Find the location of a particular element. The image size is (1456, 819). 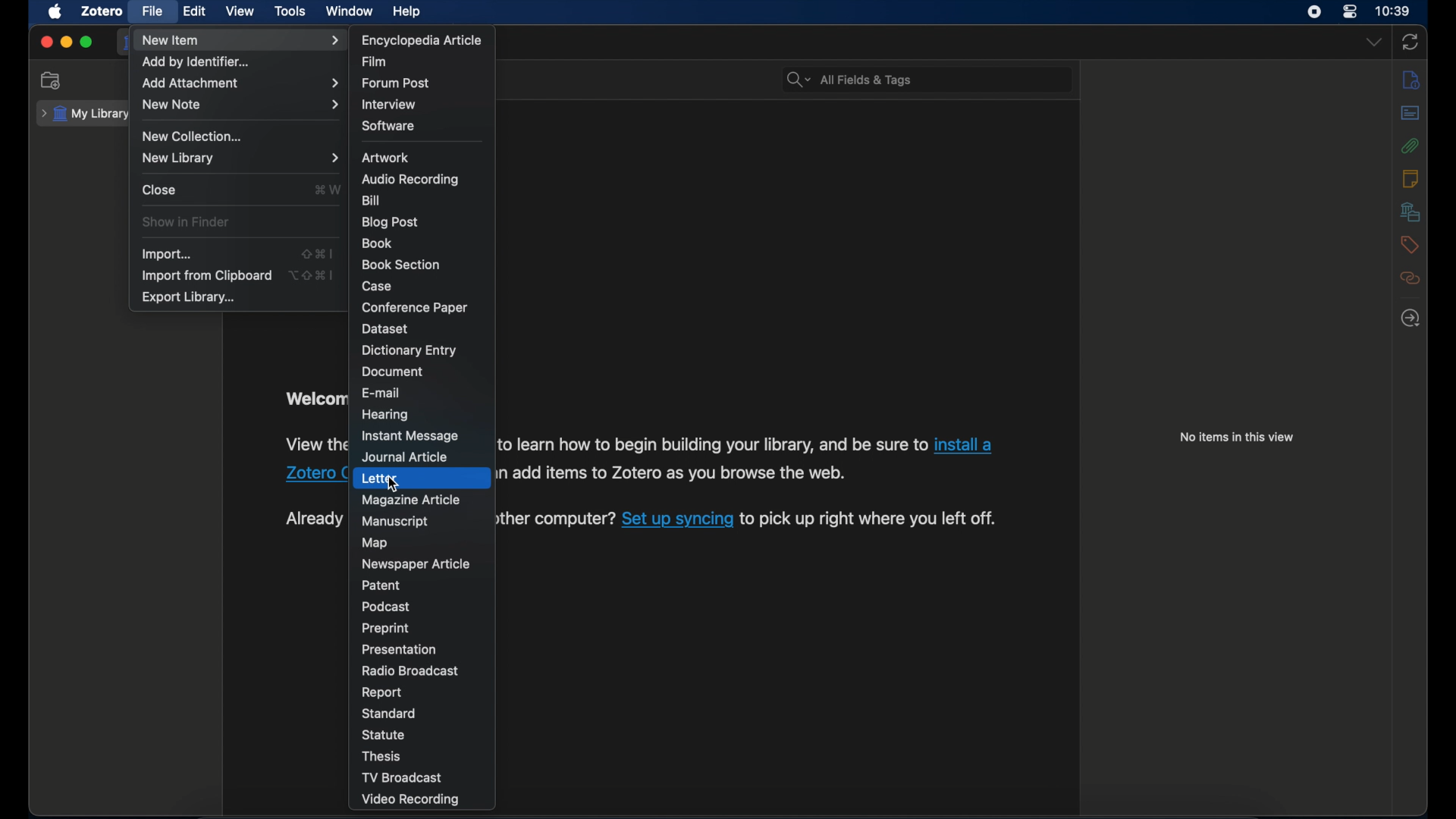

no items in this view is located at coordinates (1237, 437).